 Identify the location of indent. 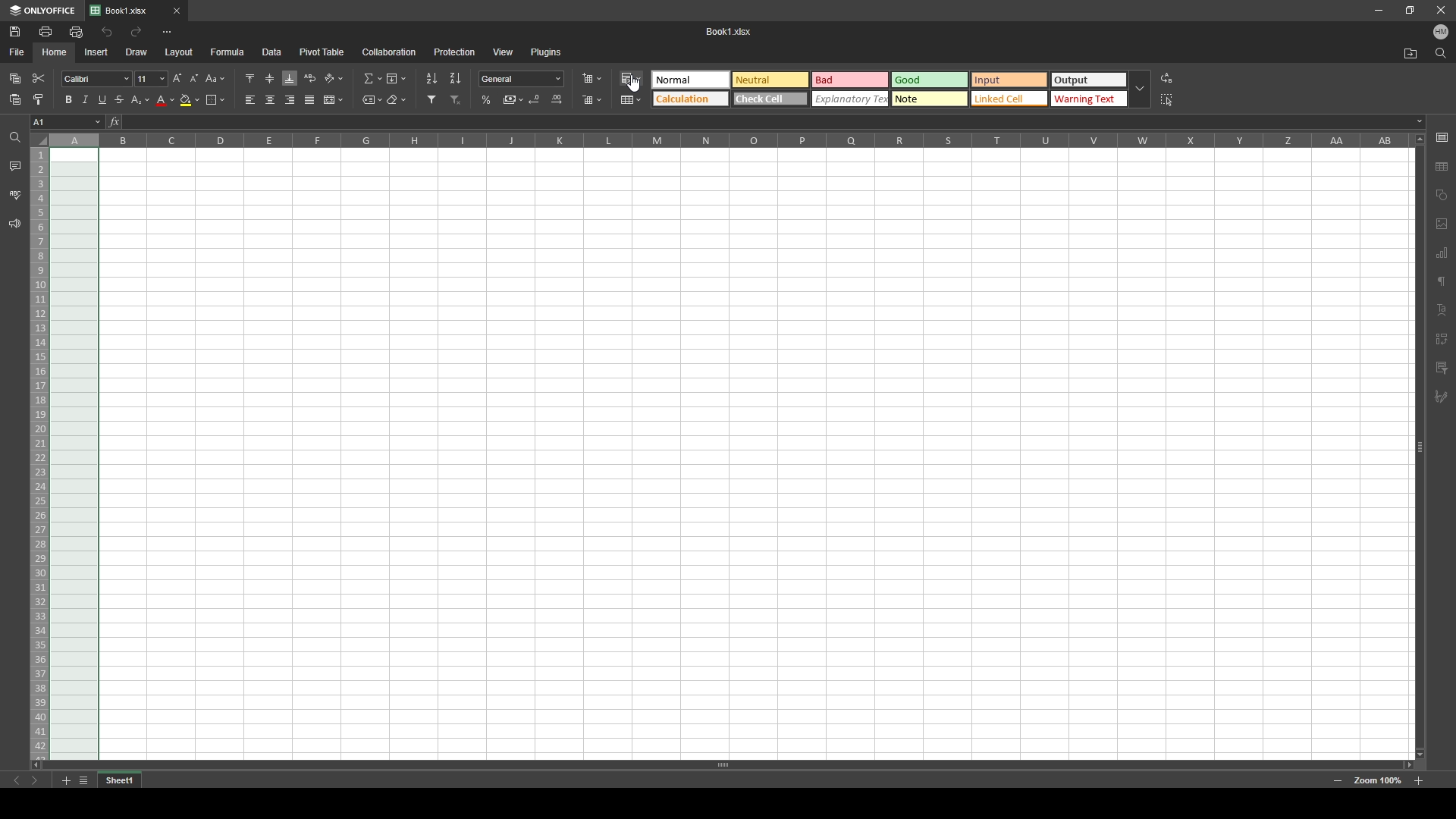
(1442, 340).